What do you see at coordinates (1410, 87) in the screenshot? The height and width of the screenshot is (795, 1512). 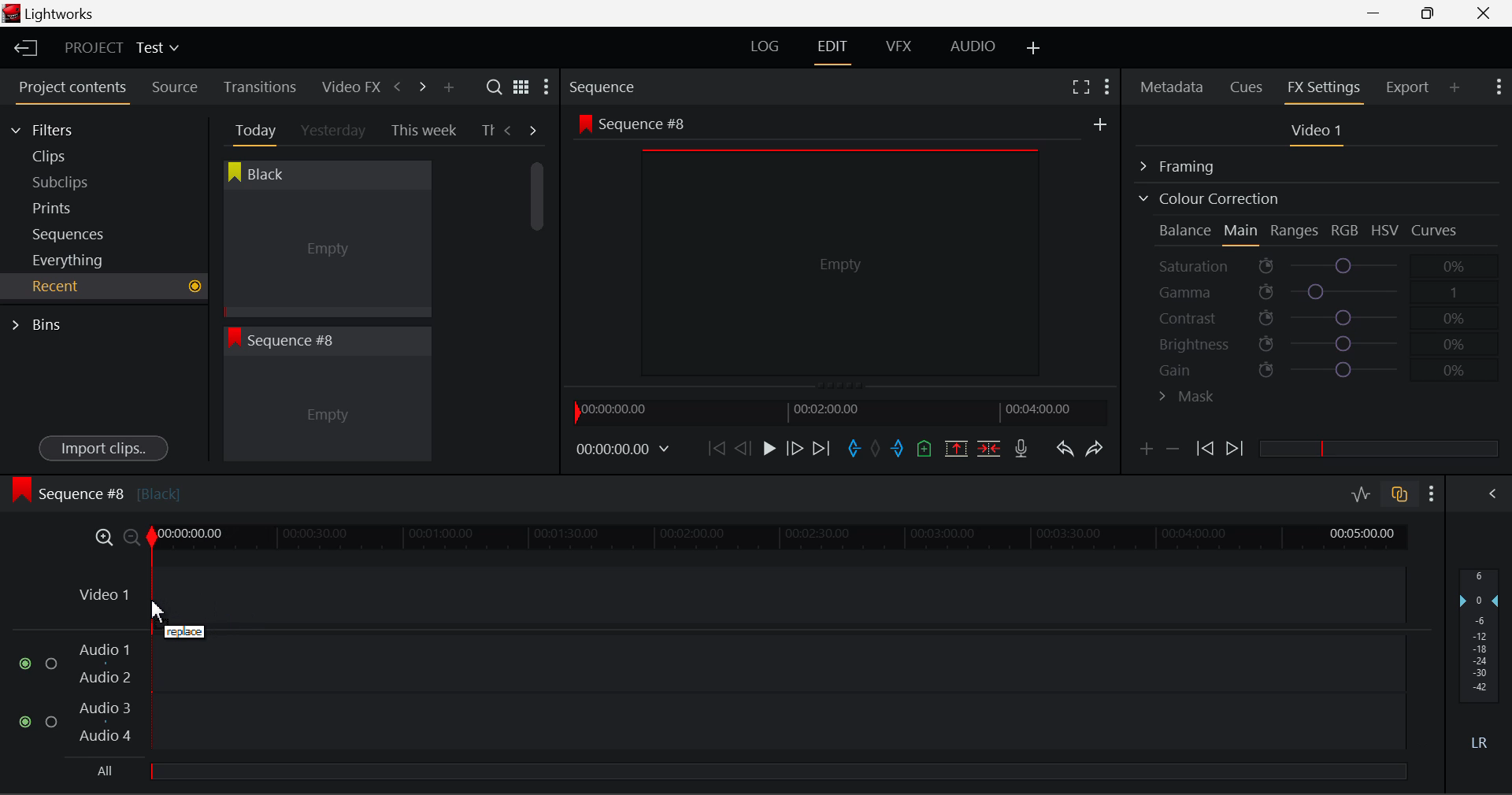 I see `Export Panel` at bounding box center [1410, 87].